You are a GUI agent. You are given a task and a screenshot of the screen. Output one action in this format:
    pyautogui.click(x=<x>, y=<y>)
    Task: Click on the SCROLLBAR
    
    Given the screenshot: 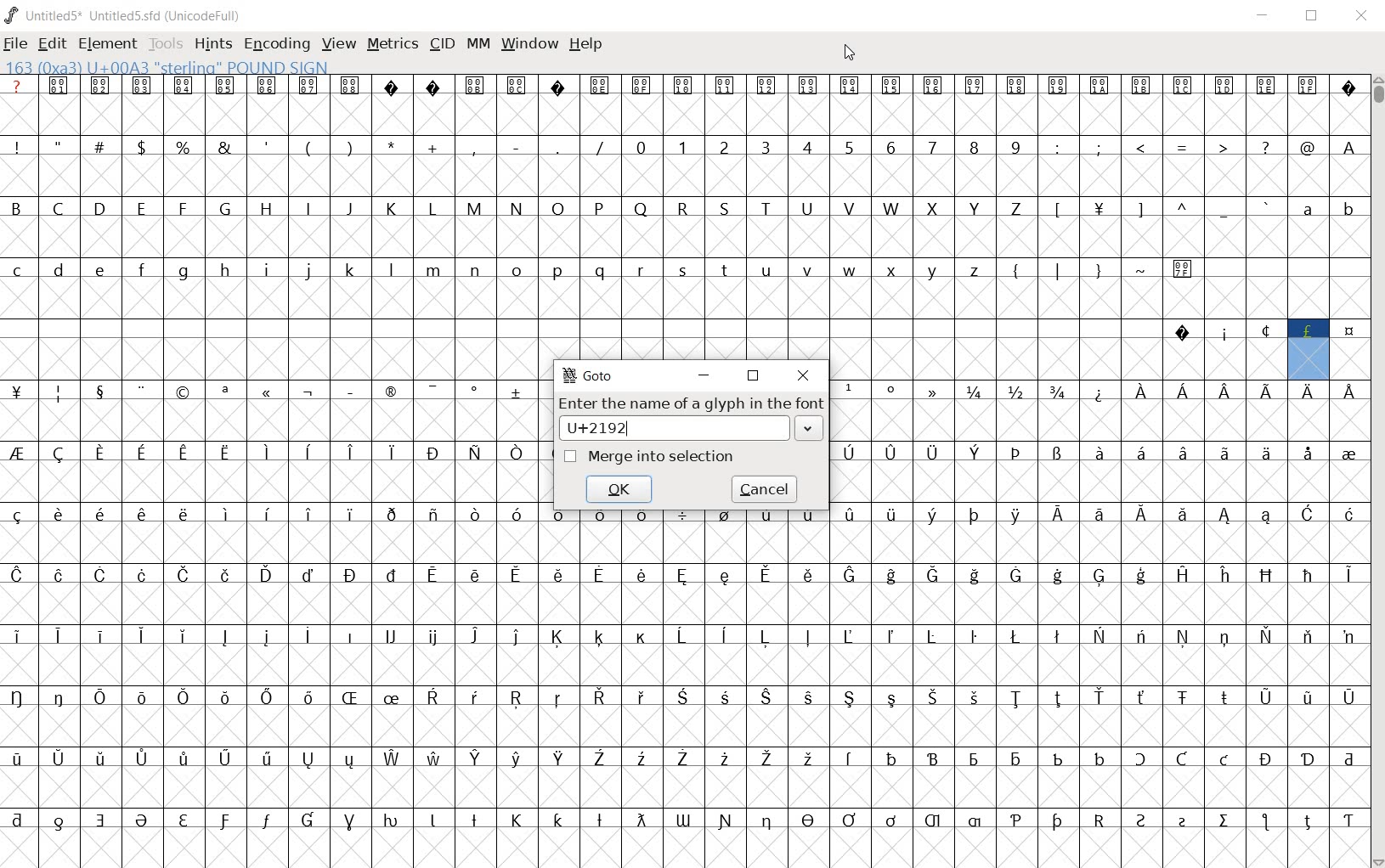 What is the action you would take?
    pyautogui.click(x=1377, y=470)
    